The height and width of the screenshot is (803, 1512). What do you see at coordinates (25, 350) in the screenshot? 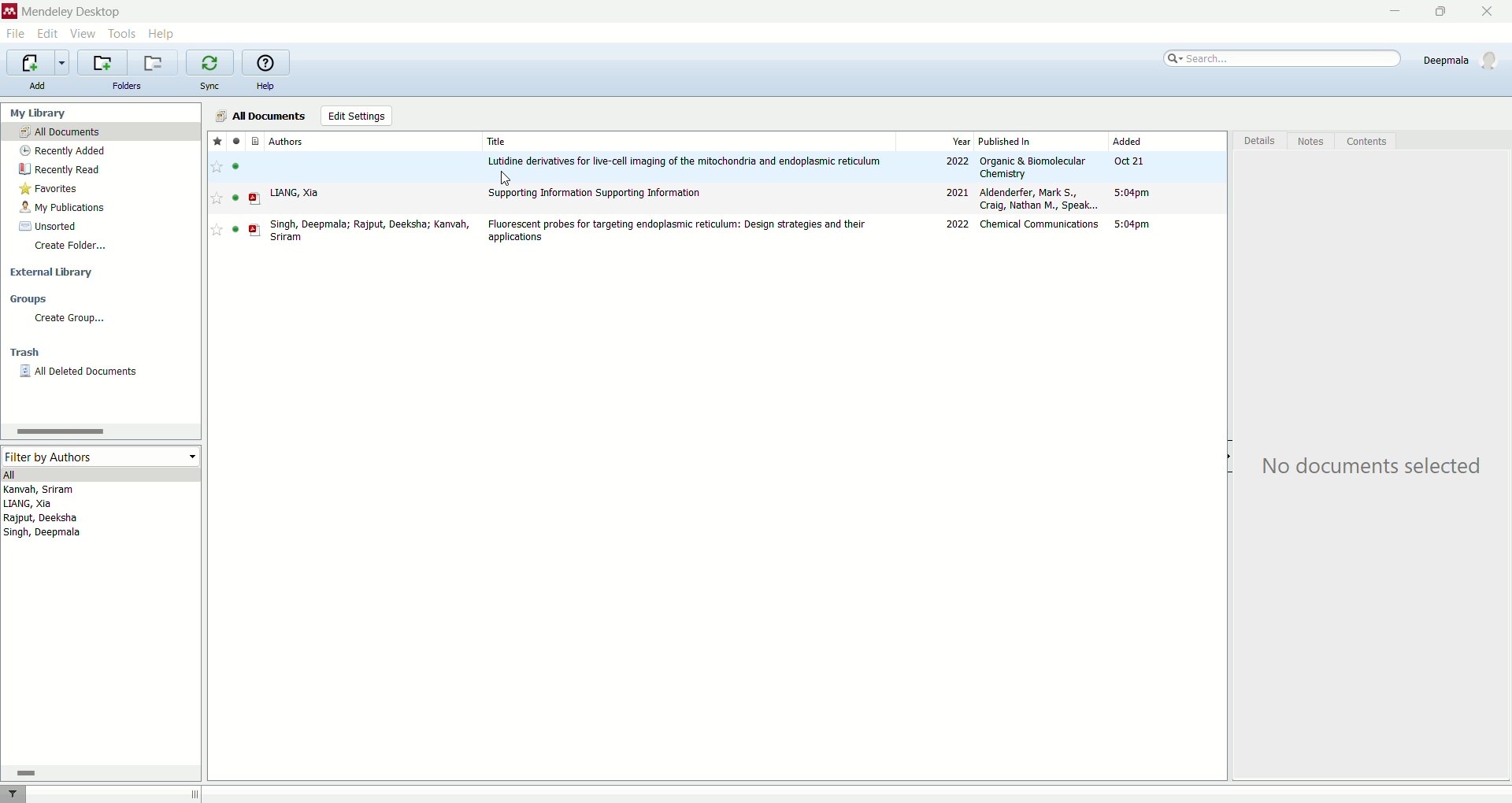
I see `trash` at bounding box center [25, 350].